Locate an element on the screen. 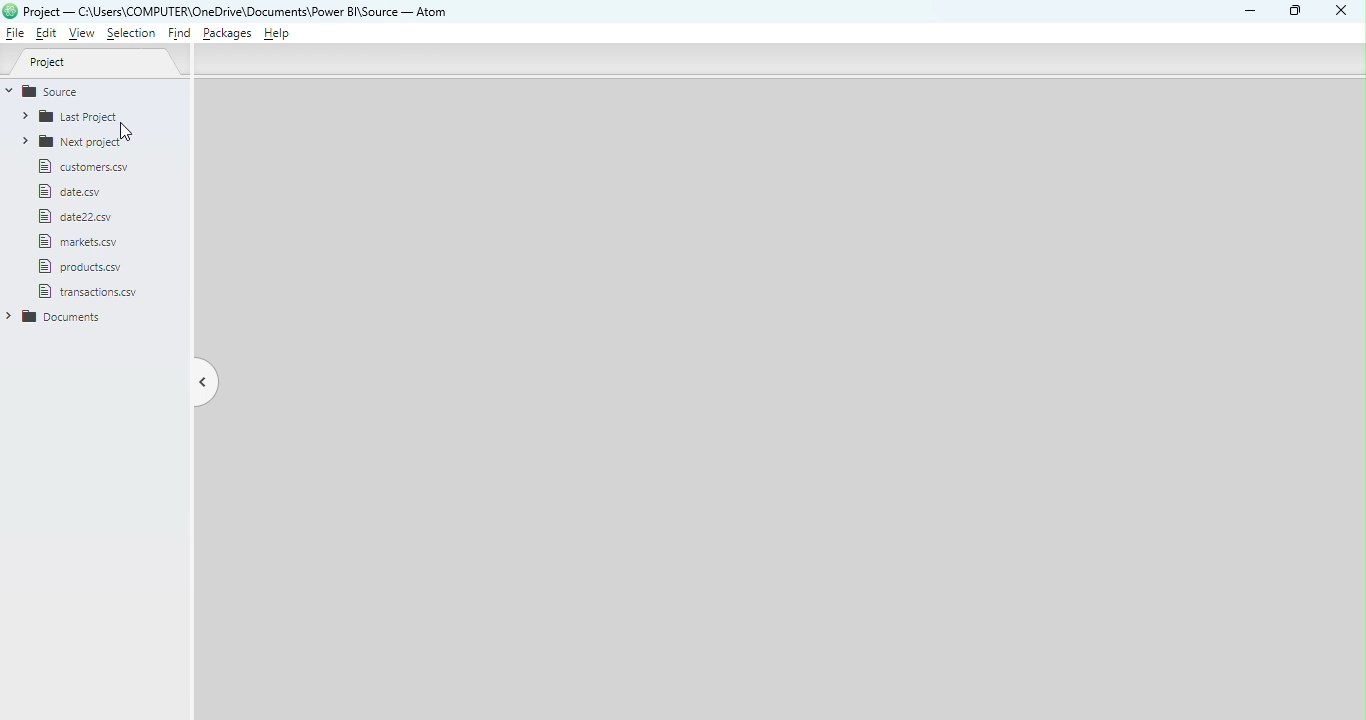  Edit is located at coordinates (47, 34).